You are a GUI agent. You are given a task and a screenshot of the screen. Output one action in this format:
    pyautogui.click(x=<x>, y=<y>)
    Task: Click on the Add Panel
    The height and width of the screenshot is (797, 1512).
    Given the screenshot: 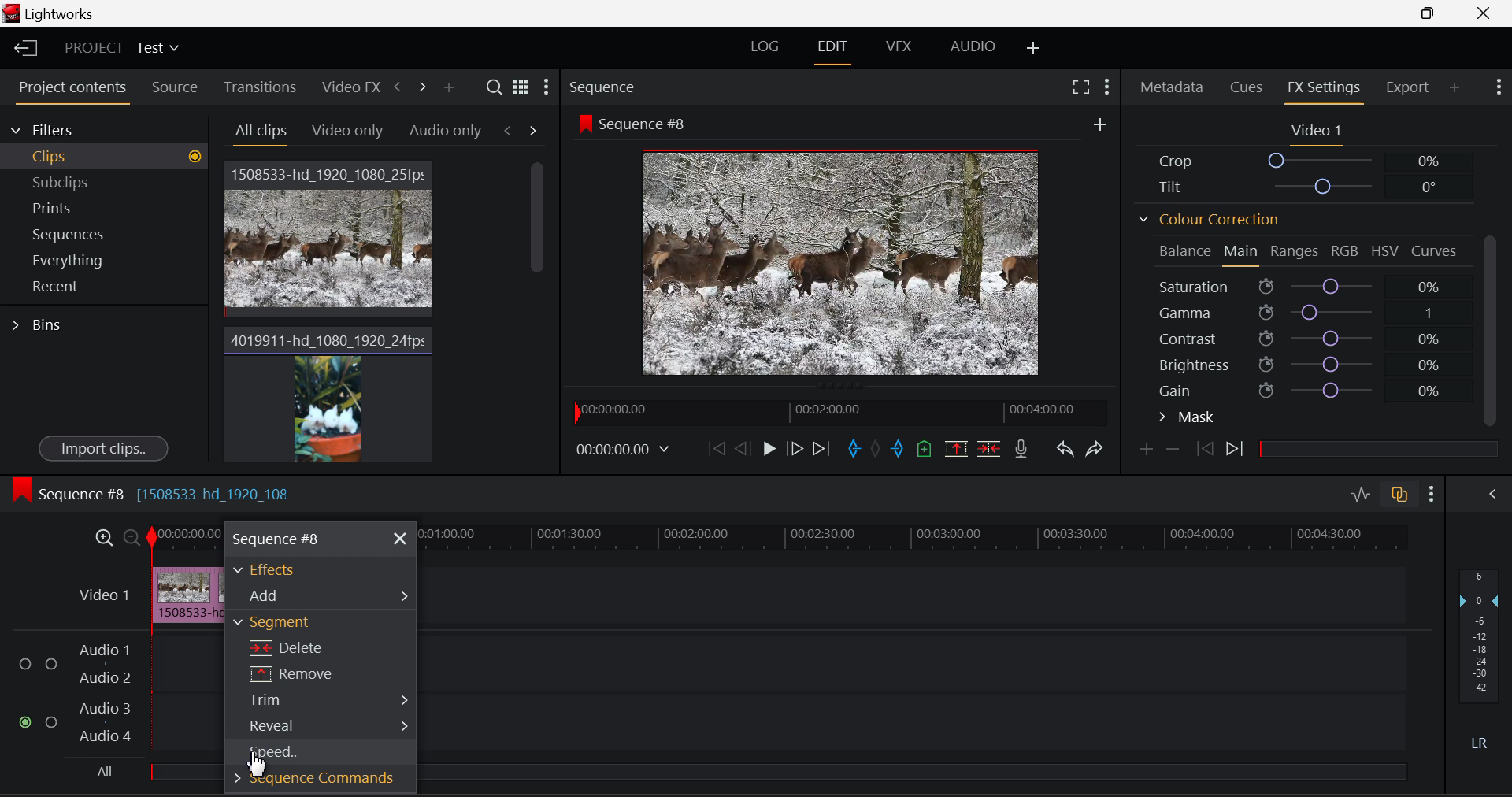 What is the action you would take?
    pyautogui.click(x=1456, y=89)
    